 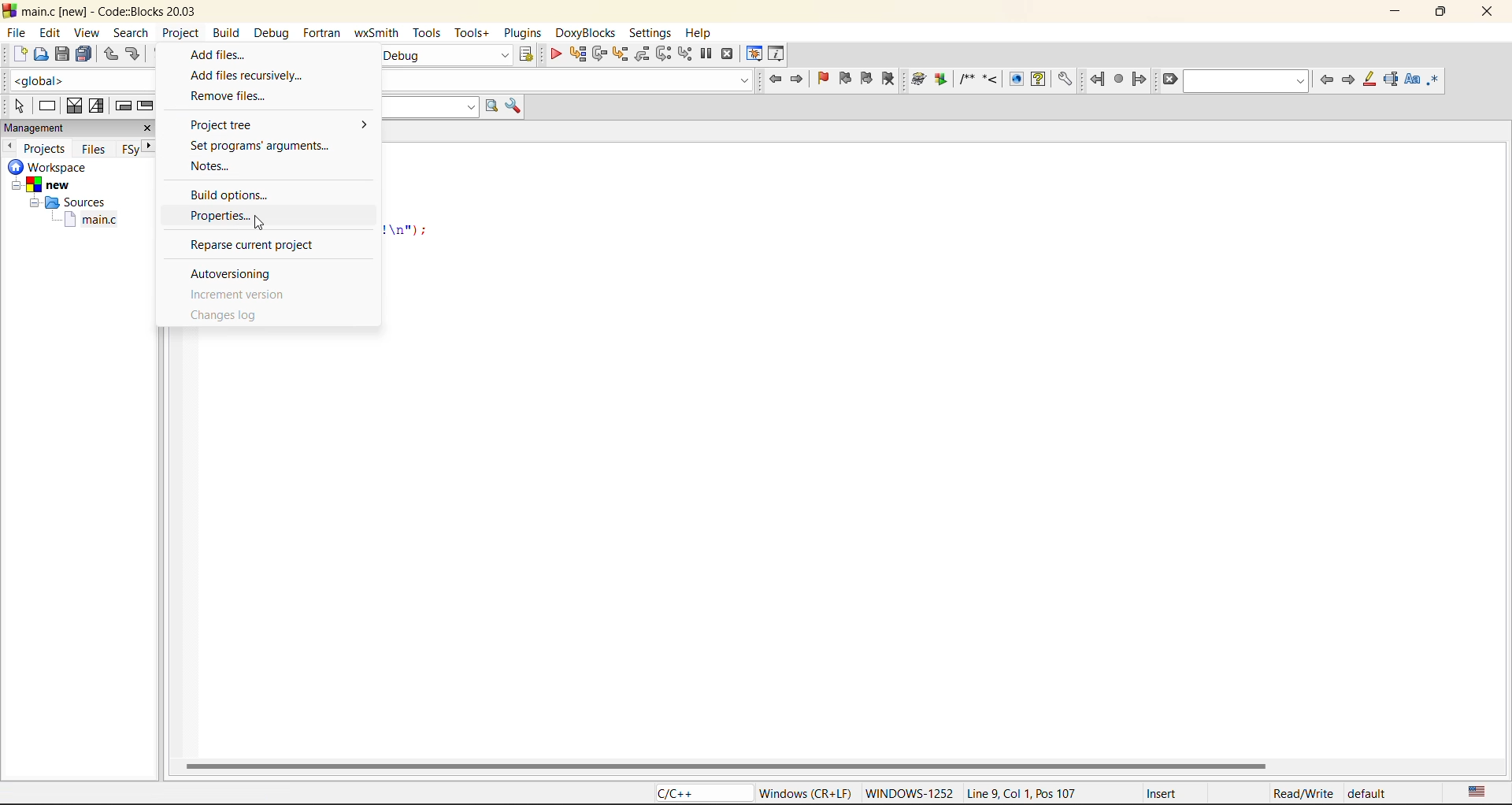 I want to click on save, so click(x=65, y=54).